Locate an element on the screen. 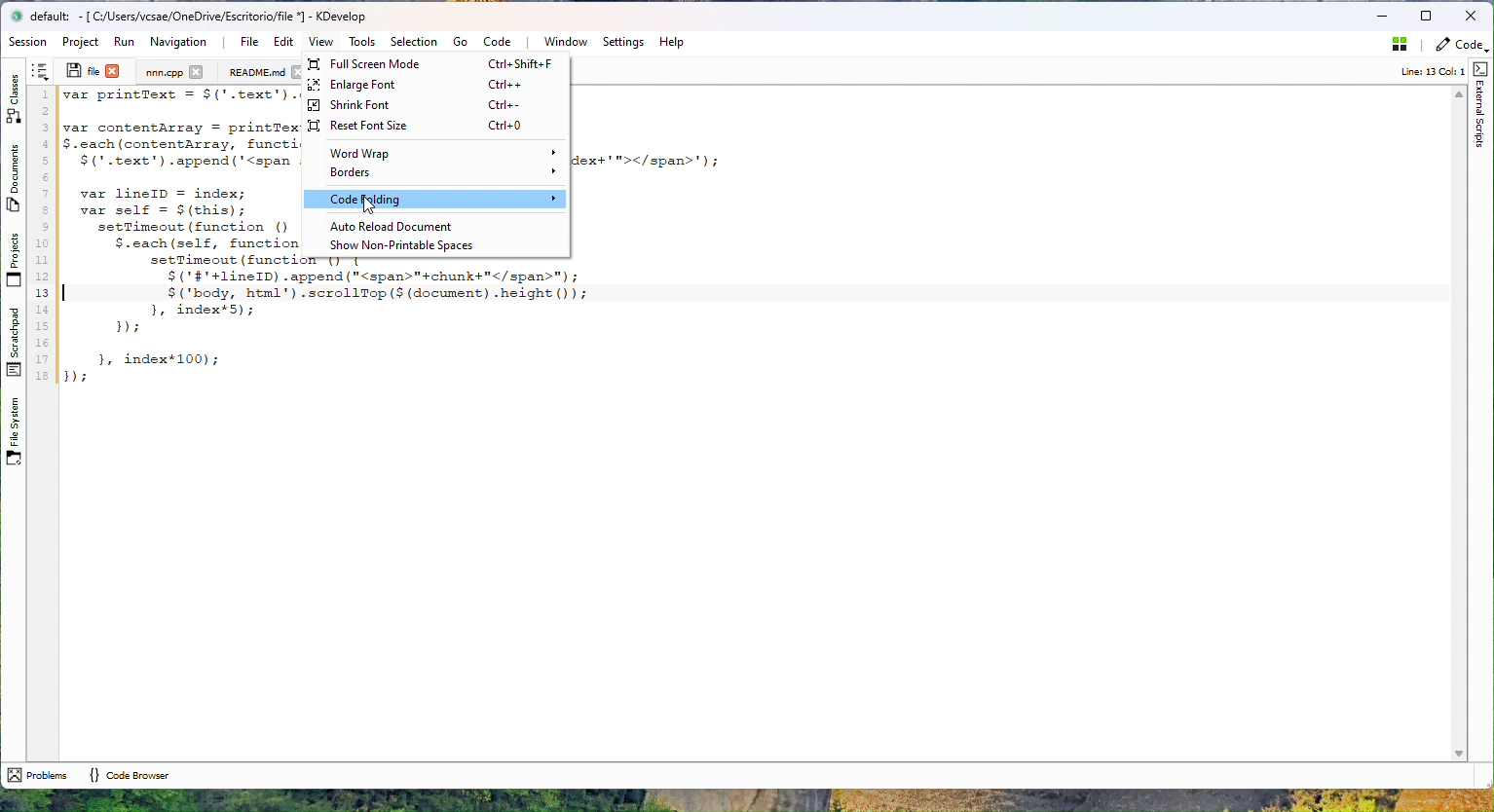 The image size is (1494, 812). Class is located at coordinates (15, 95).